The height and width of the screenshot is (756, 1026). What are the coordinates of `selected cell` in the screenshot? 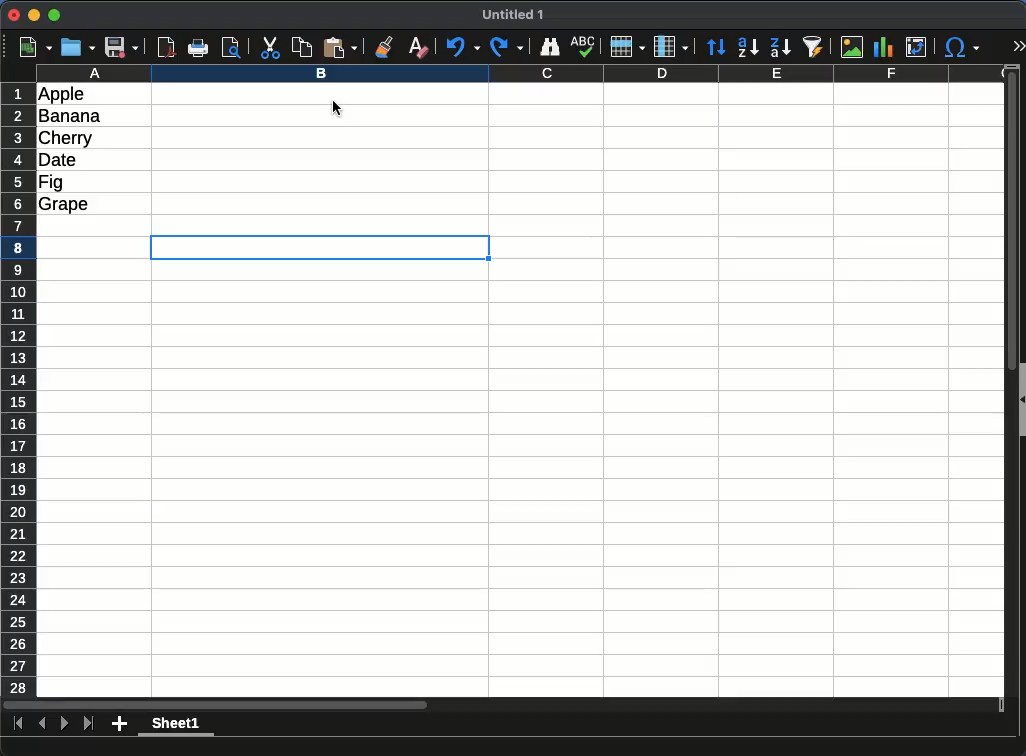 It's located at (320, 247).